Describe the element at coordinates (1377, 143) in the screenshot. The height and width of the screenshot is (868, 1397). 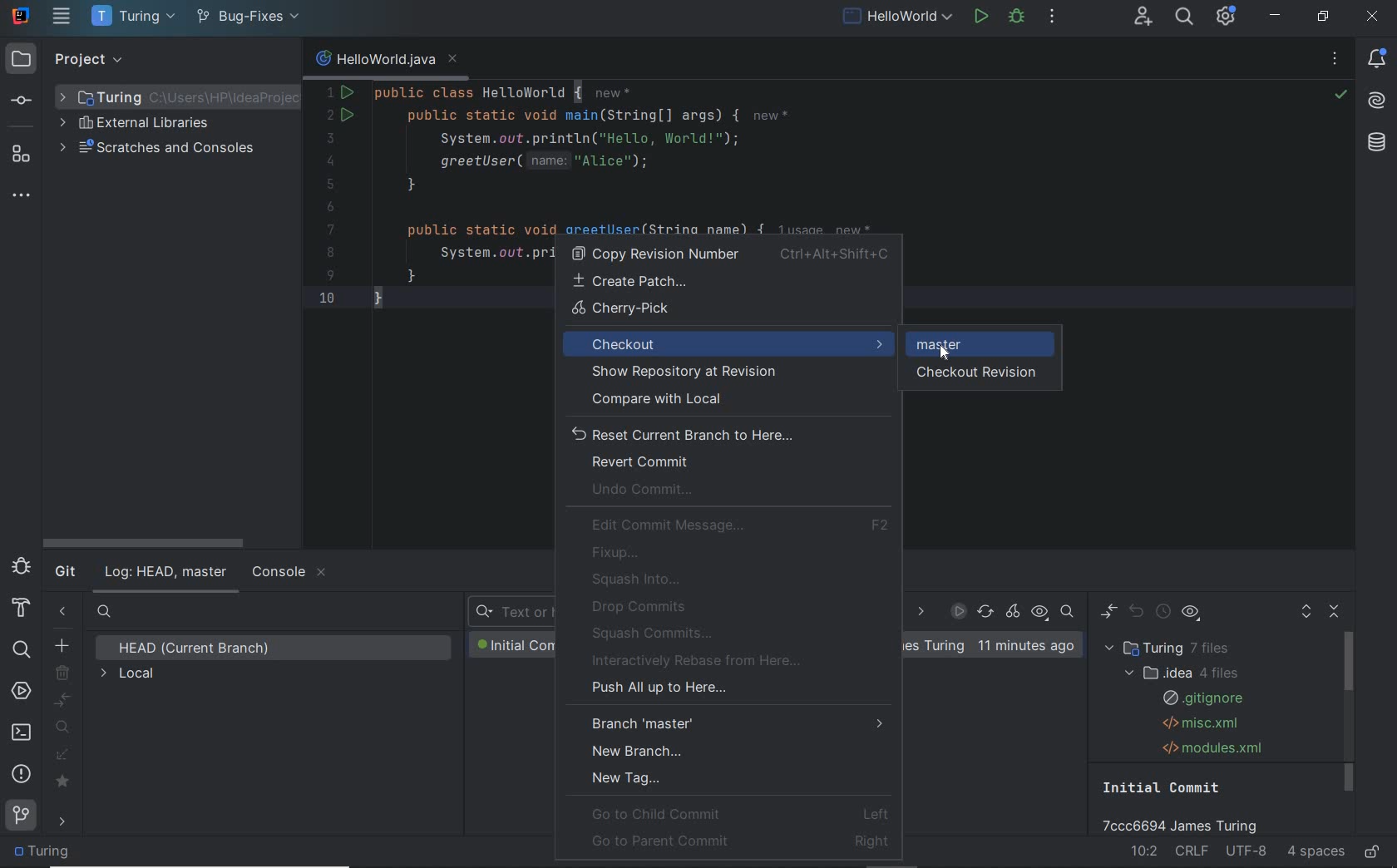
I see `database` at that location.